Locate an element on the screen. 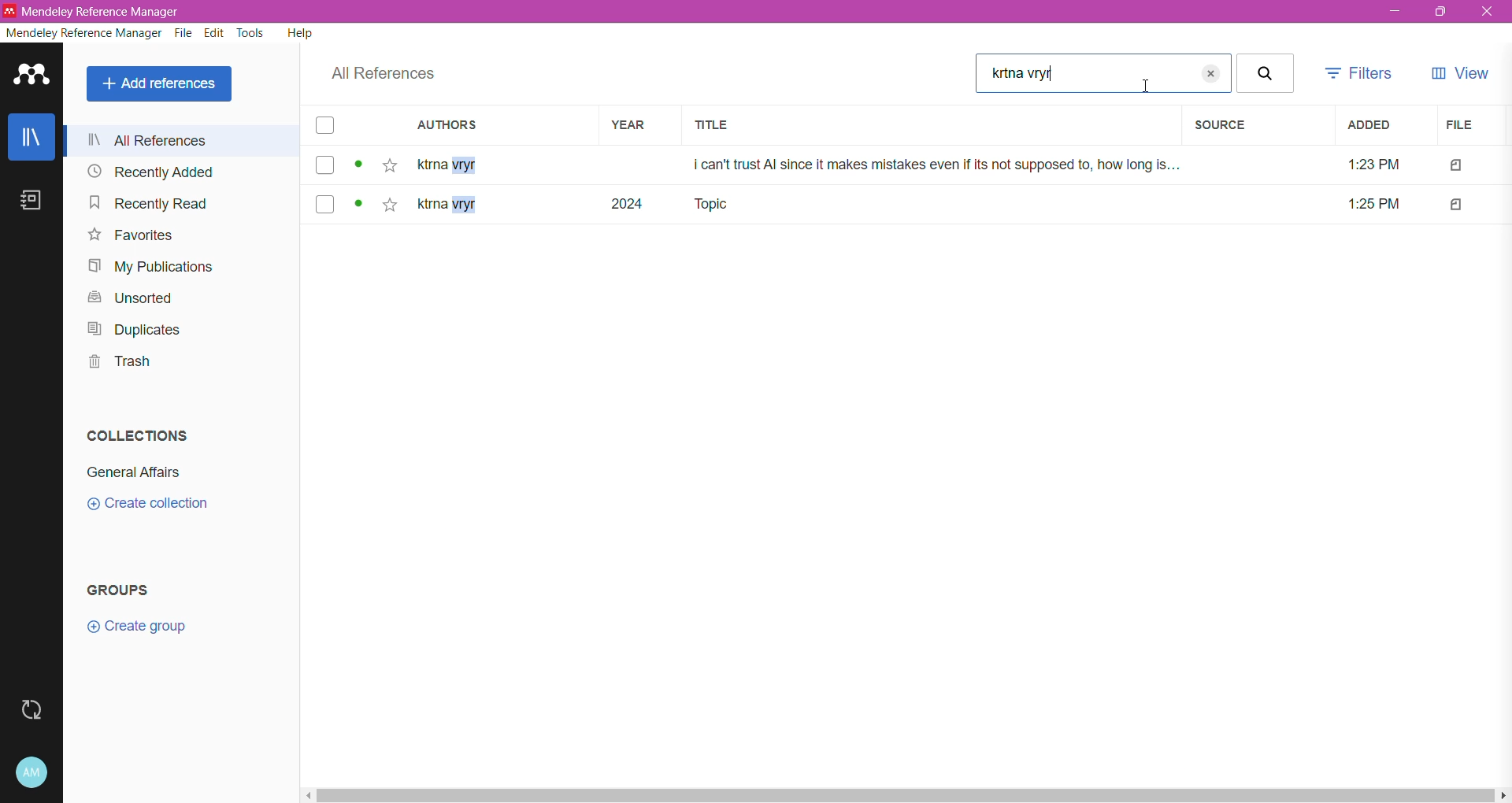  Year is located at coordinates (635, 127).